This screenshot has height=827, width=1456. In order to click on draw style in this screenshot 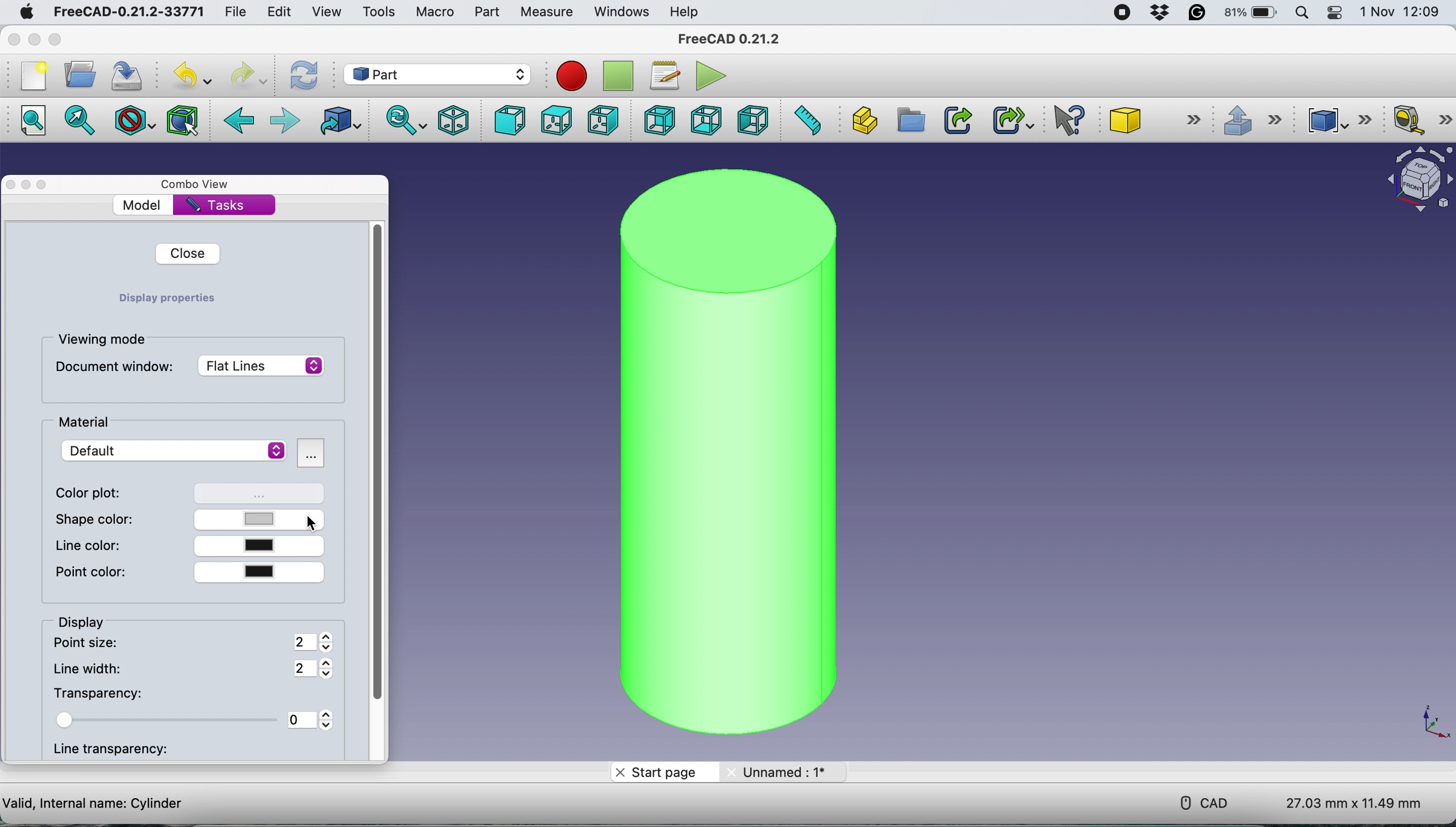, I will do `click(134, 122)`.